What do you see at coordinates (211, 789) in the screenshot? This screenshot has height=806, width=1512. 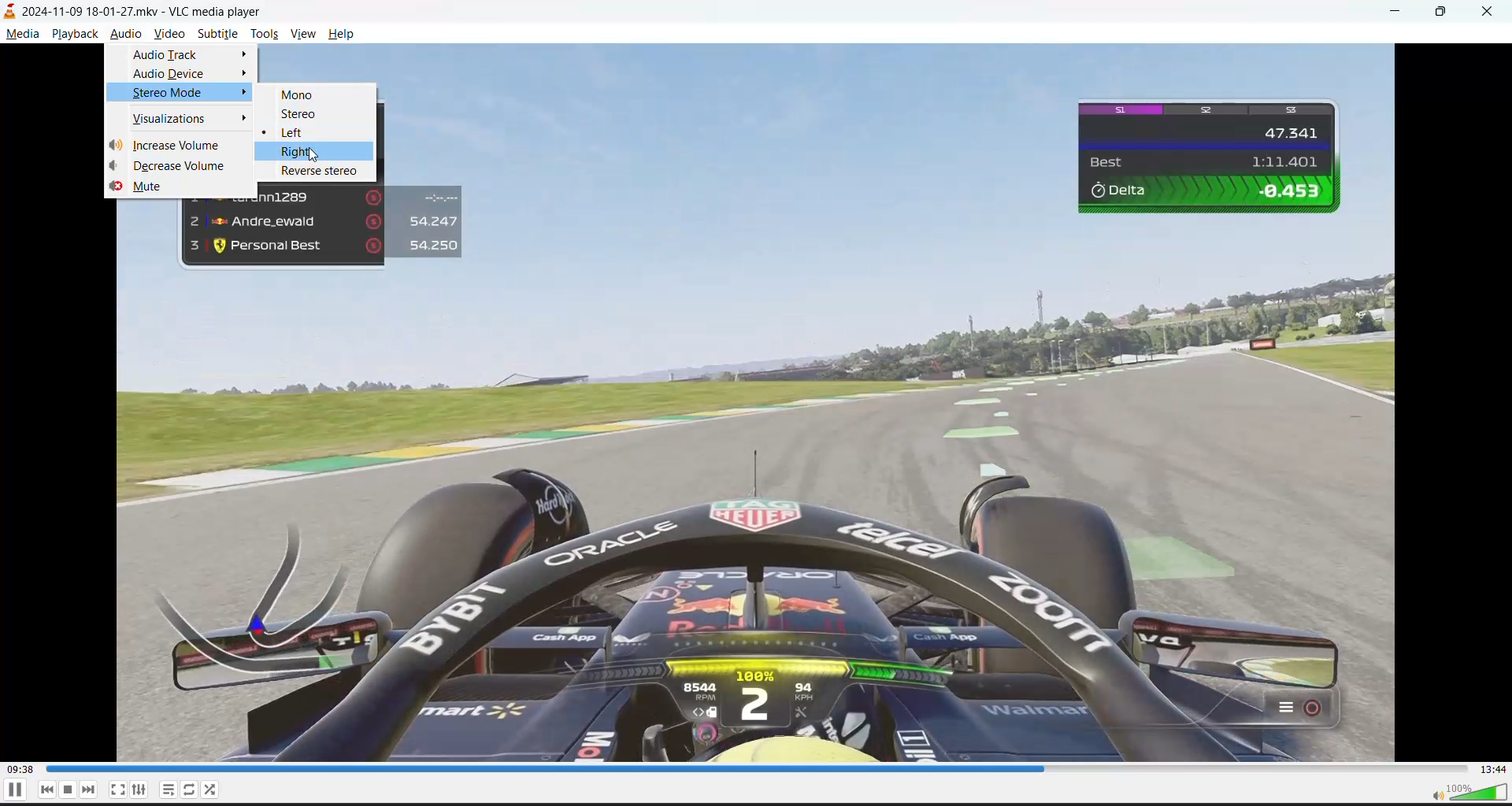 I see `random` at bounding box center [211, 789].